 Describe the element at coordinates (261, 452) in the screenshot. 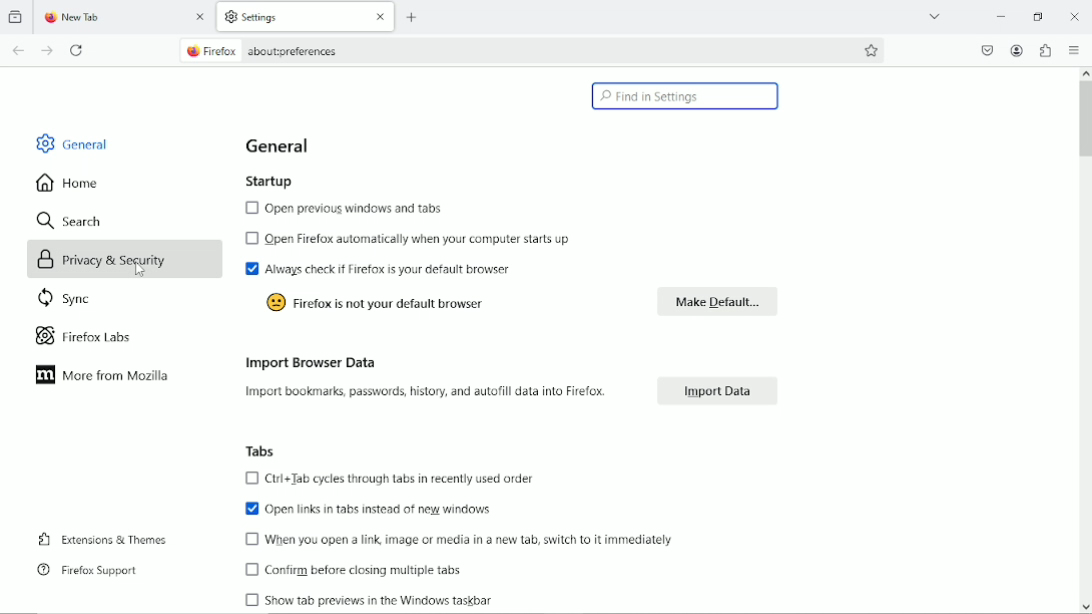

I see `tabs` at that location.